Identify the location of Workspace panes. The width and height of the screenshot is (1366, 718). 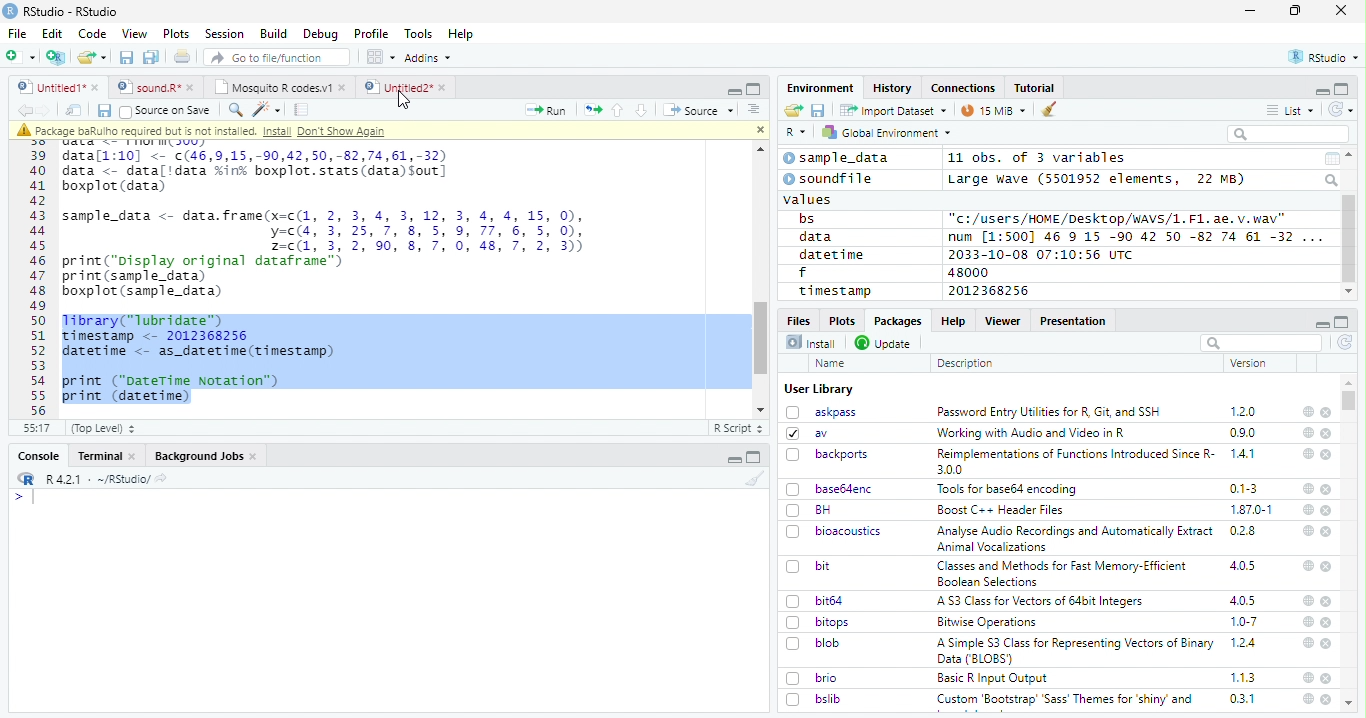
(381, 57).